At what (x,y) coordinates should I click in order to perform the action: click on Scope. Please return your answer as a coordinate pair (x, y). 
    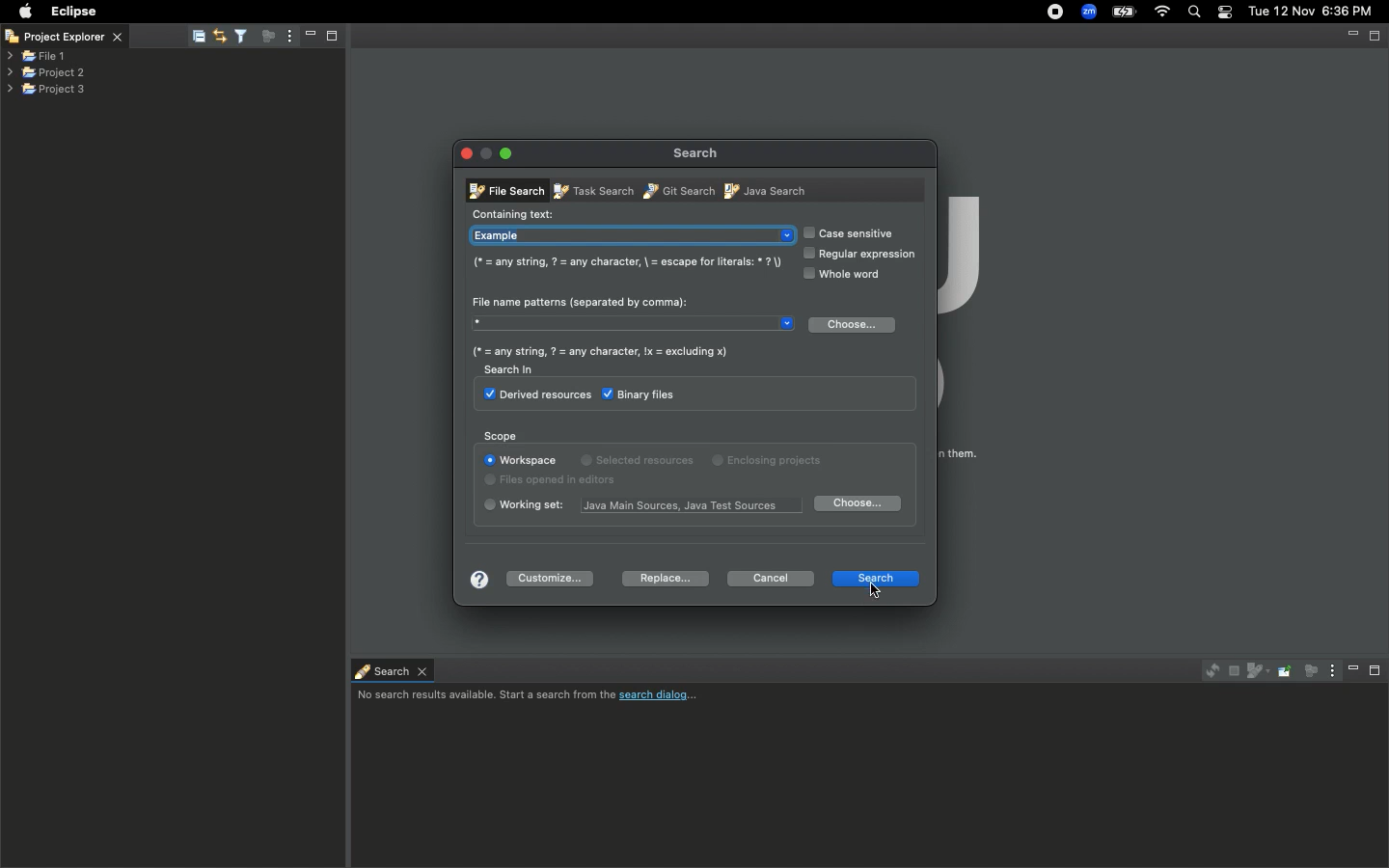
    Looking at the image, I should click on (499, 437).